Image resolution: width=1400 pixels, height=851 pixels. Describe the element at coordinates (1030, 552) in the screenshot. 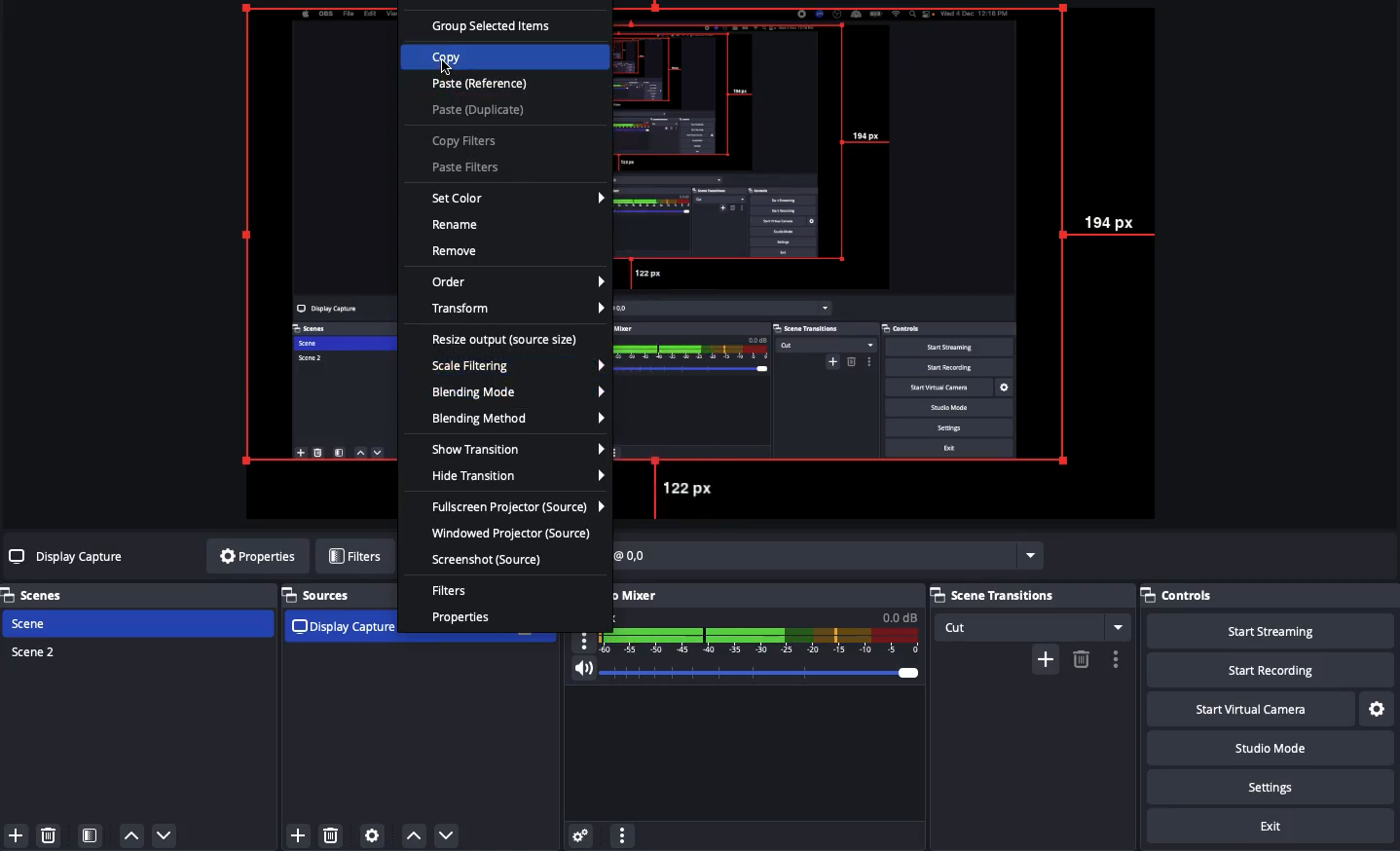

I see `more options` at that location.